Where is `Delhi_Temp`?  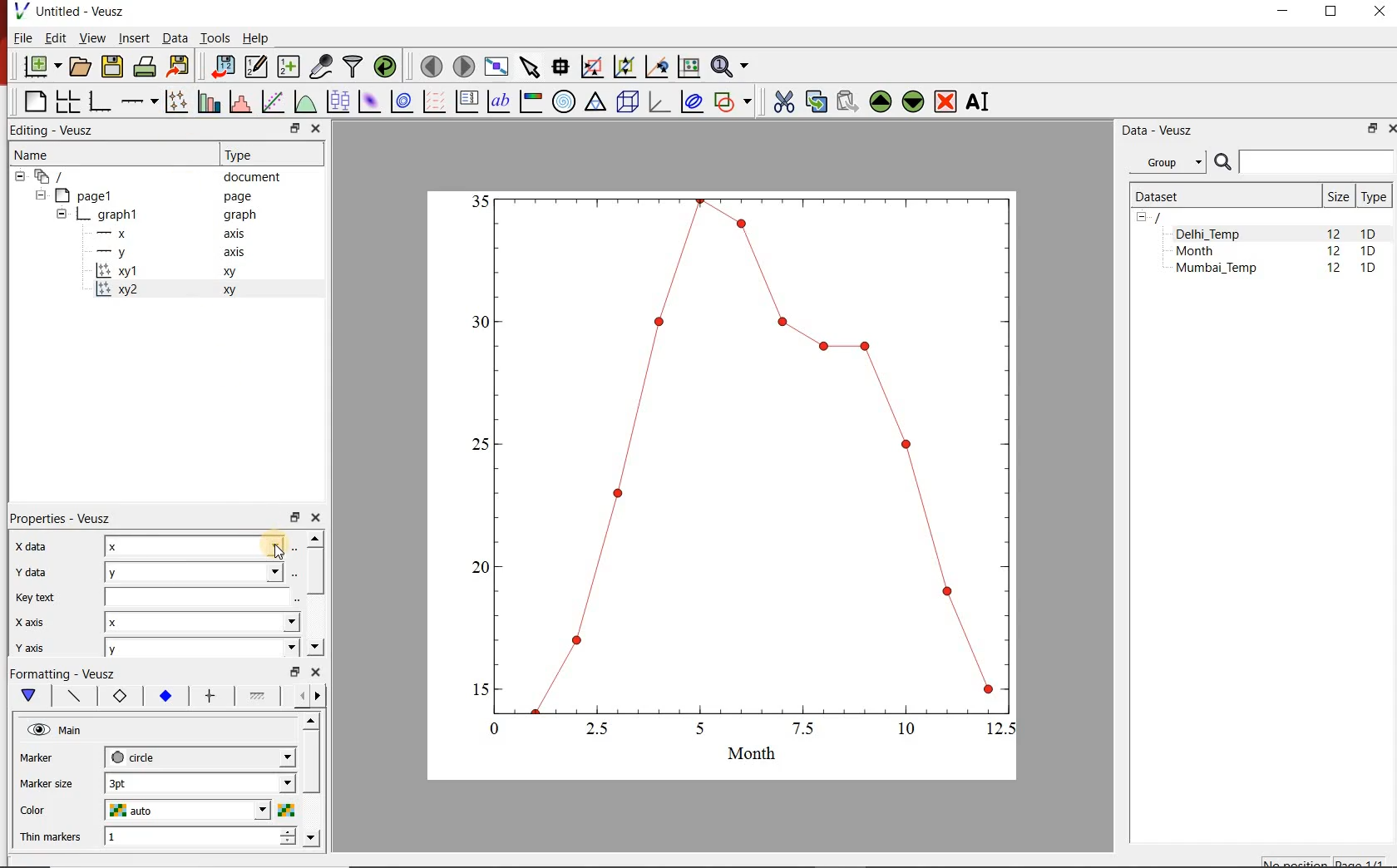
Delhi_Temp is located at coordinates (203, 570).